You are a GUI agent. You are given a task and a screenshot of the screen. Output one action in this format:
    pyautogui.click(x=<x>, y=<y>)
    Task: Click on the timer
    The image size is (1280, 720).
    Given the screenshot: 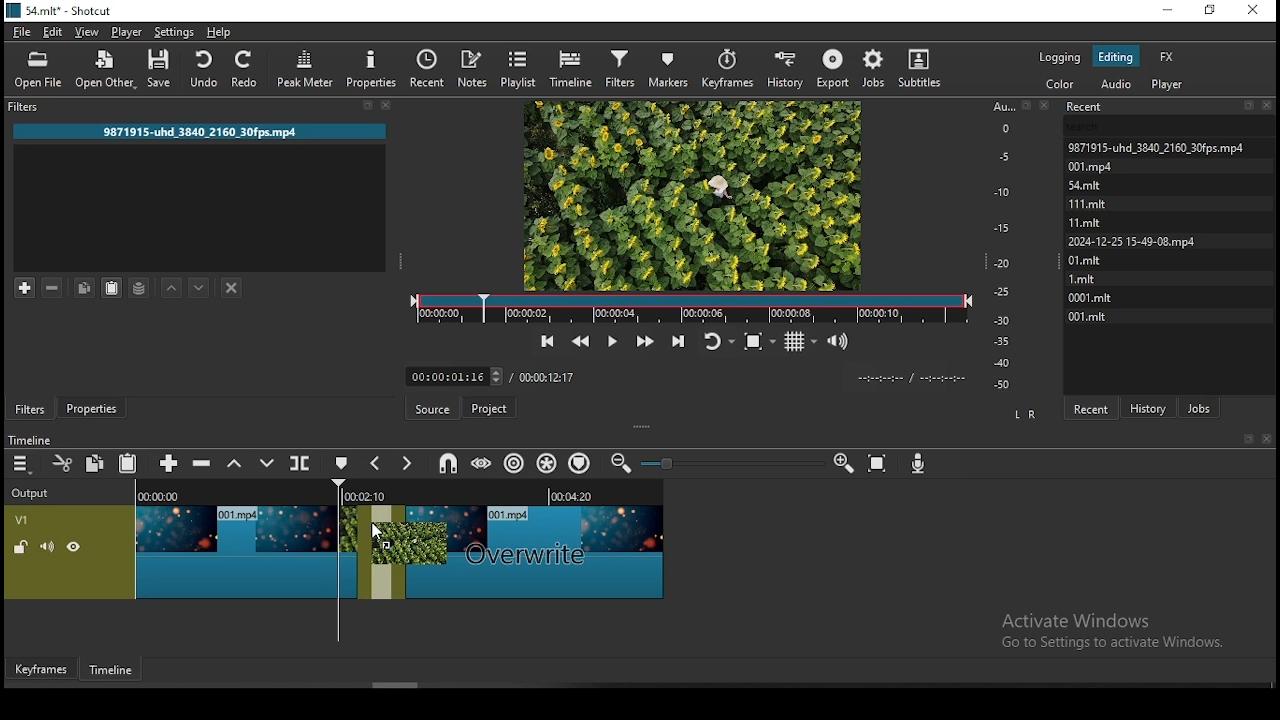 What is the action you would take?
    pyautogui.click(x=907, y=377)
    